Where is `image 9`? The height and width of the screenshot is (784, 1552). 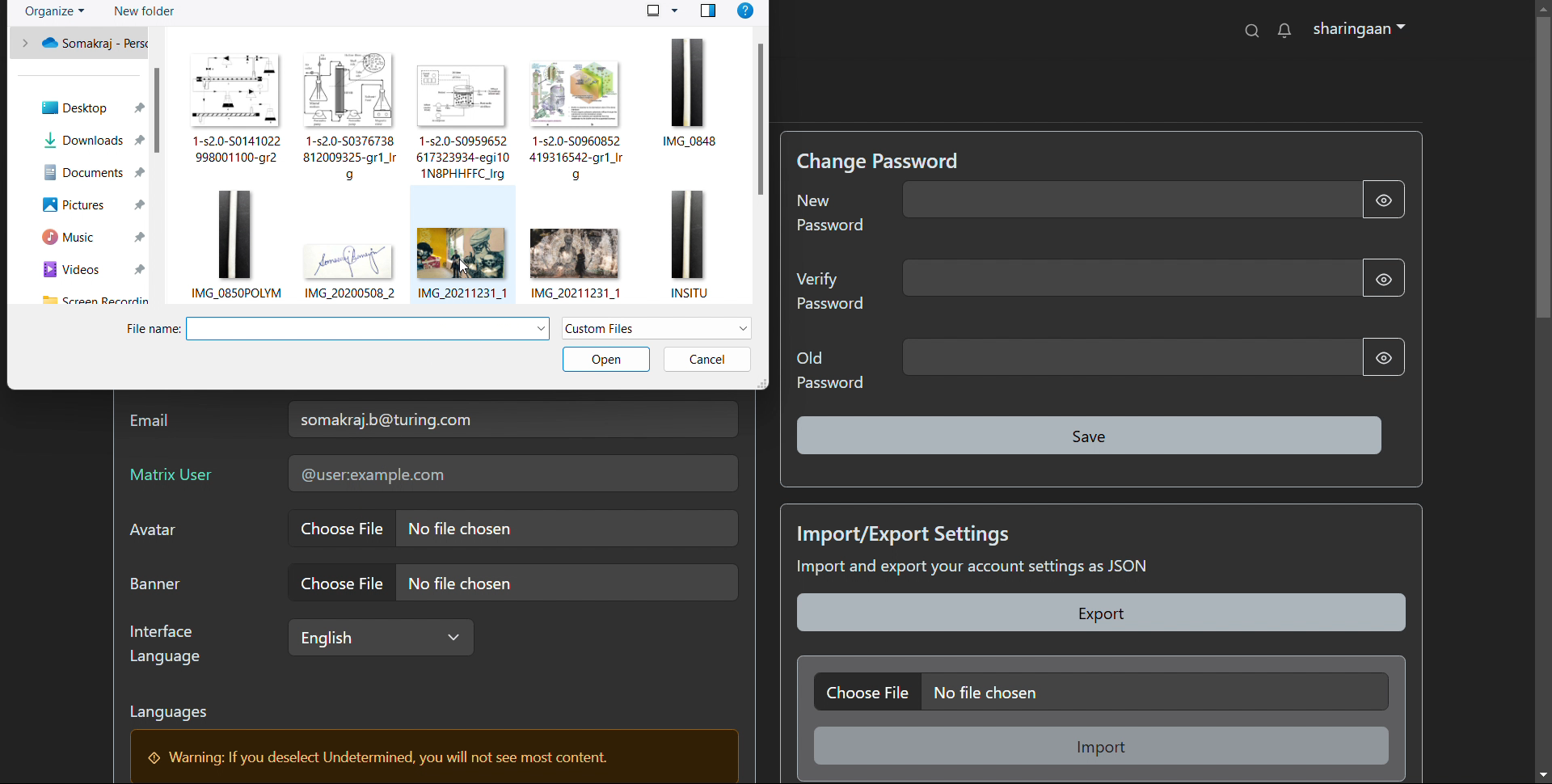
image 9 is located at coordinates (585, 262).